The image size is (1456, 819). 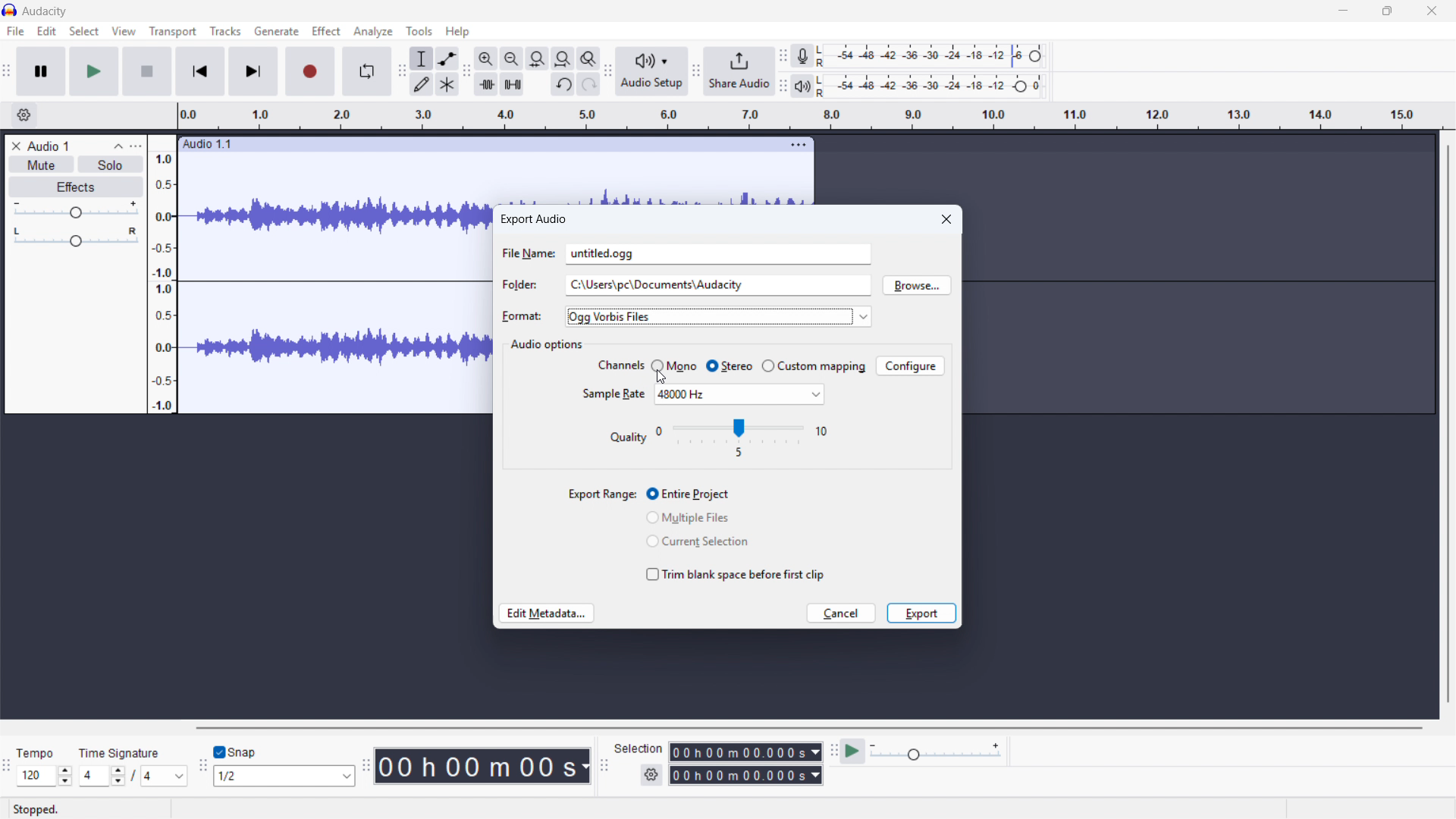 What do you see at coordinates (588, 83) in the screenshot?
I see `Redo ` at bounding box center [588, 83].